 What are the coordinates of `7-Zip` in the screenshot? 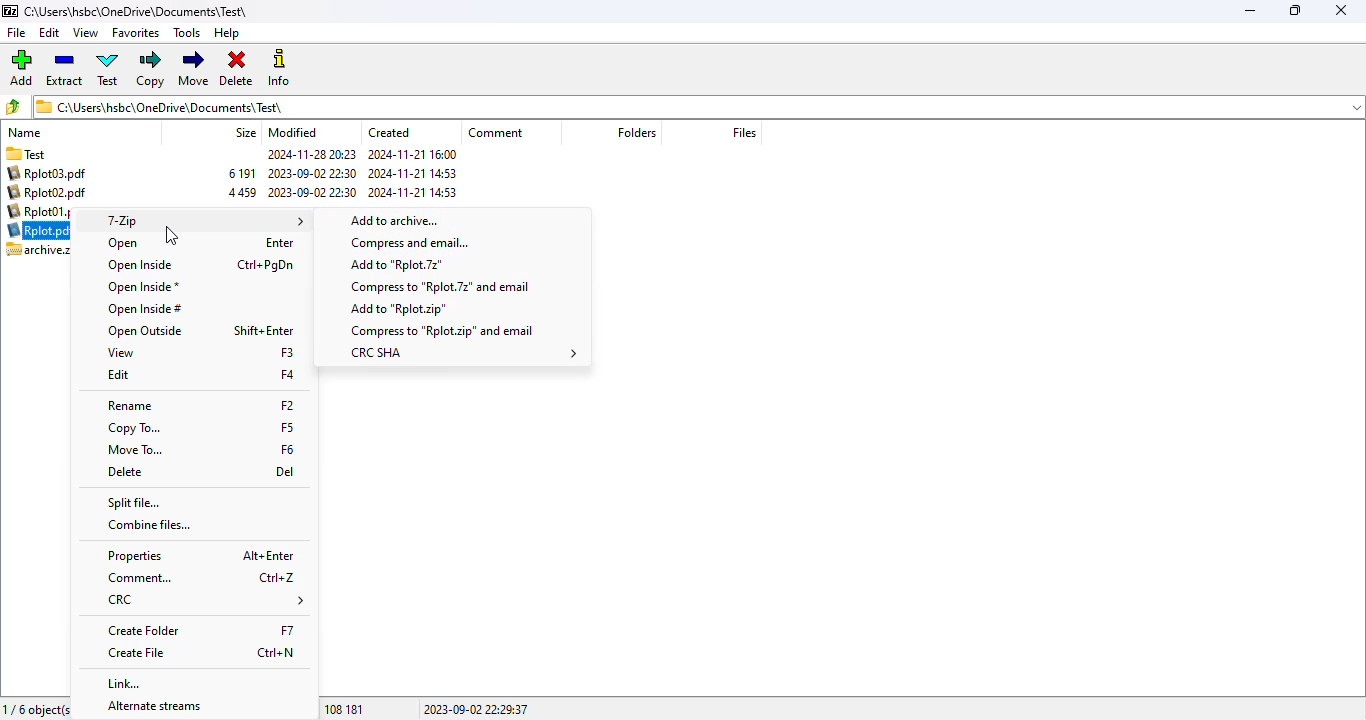 It's located at (201, 221).